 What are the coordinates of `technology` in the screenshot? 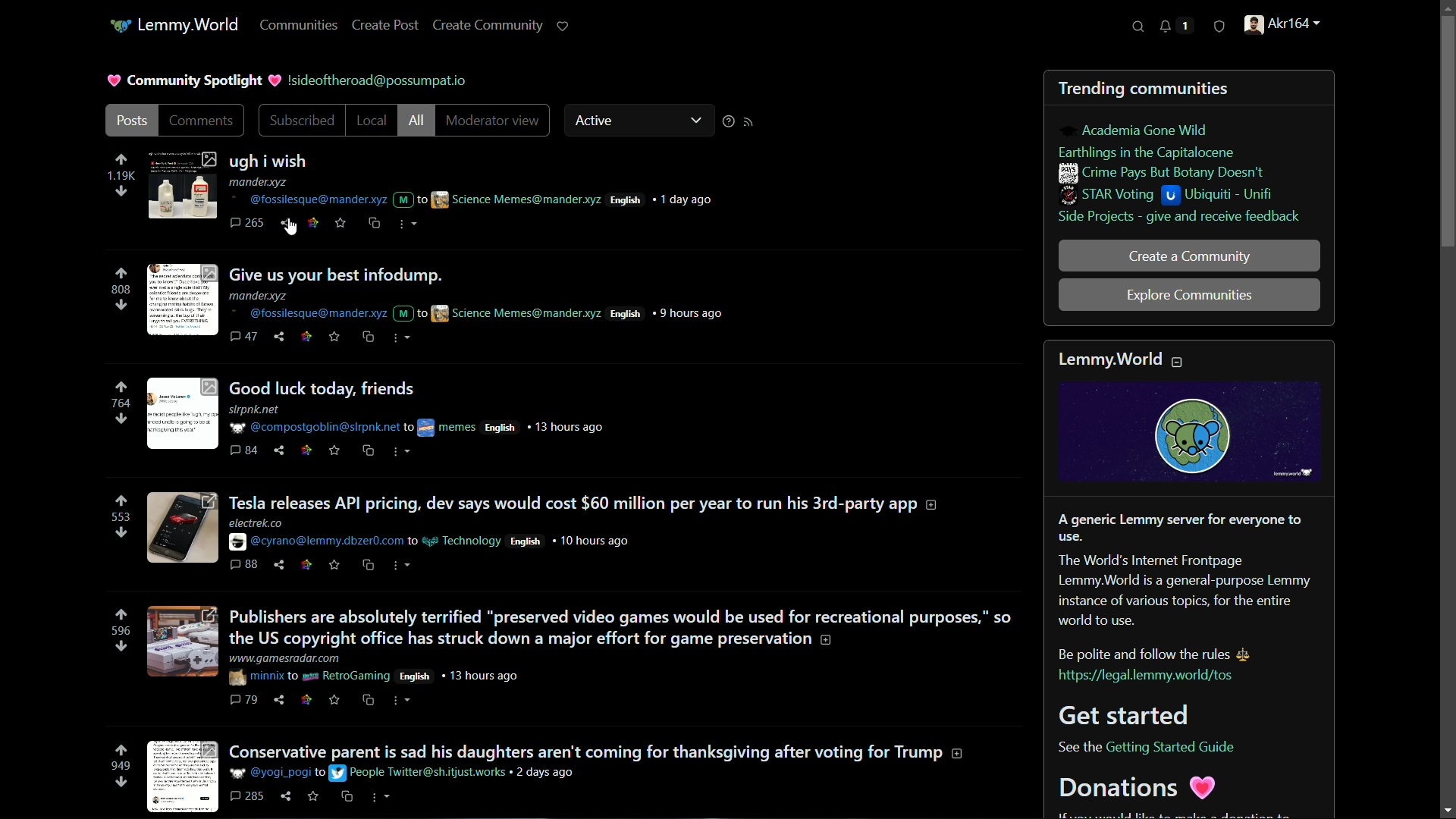 It's located at (462, 541).